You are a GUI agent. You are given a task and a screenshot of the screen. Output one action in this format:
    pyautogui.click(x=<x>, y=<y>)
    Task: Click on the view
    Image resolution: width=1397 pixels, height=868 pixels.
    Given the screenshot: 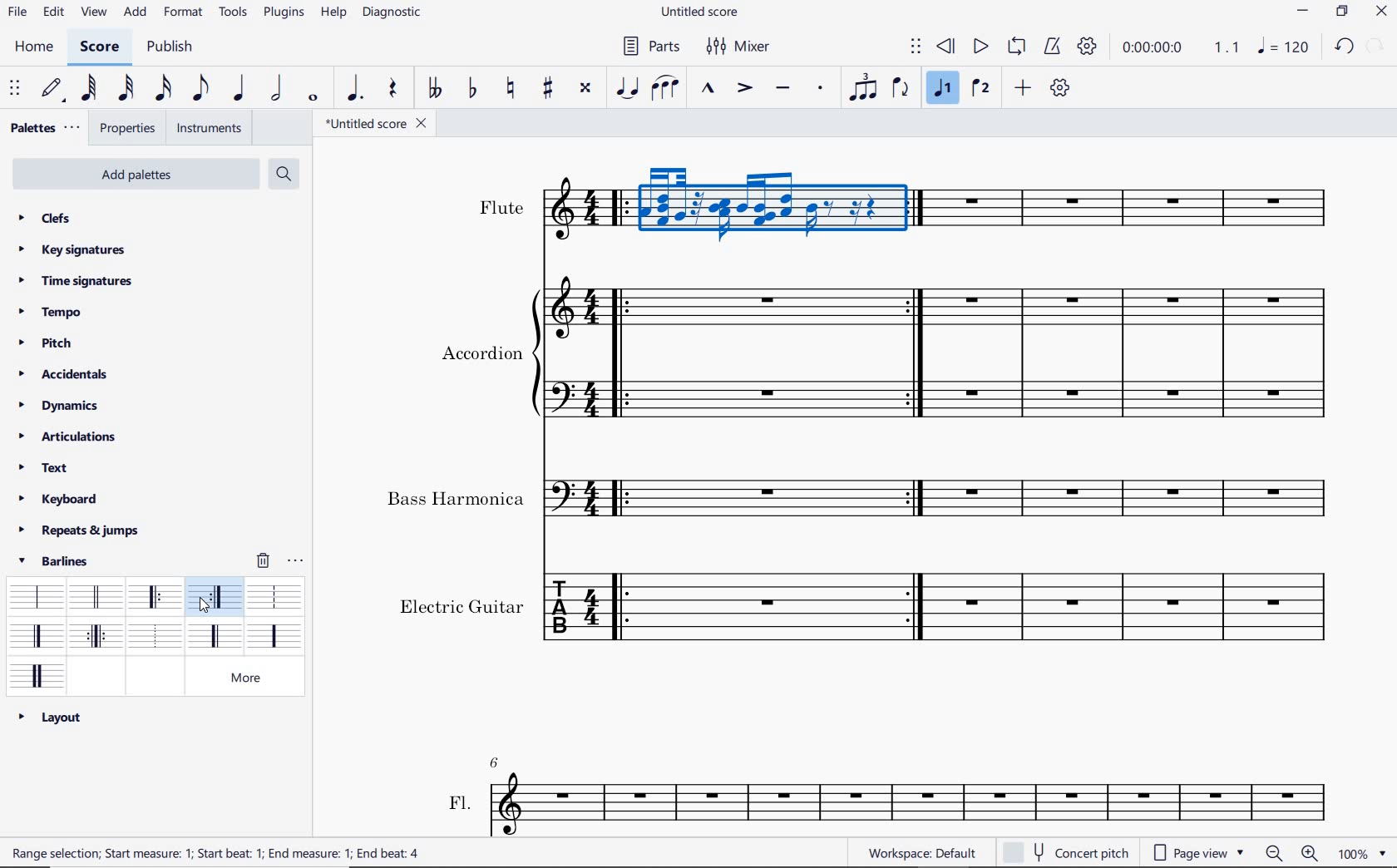 What is the action you would take?
    pyautogui.click(x=94, y=13)
    